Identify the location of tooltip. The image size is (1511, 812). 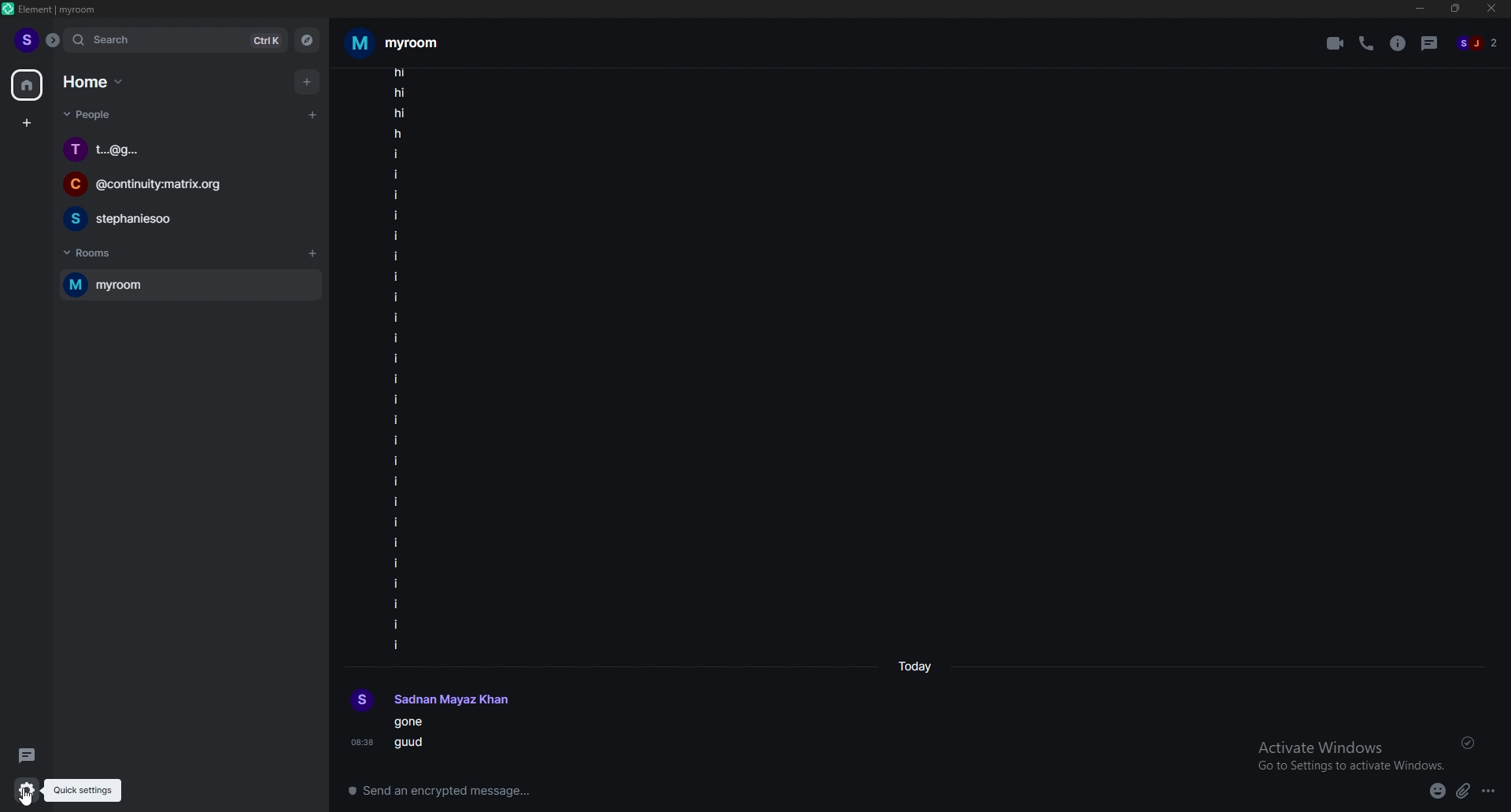
(83, 791).